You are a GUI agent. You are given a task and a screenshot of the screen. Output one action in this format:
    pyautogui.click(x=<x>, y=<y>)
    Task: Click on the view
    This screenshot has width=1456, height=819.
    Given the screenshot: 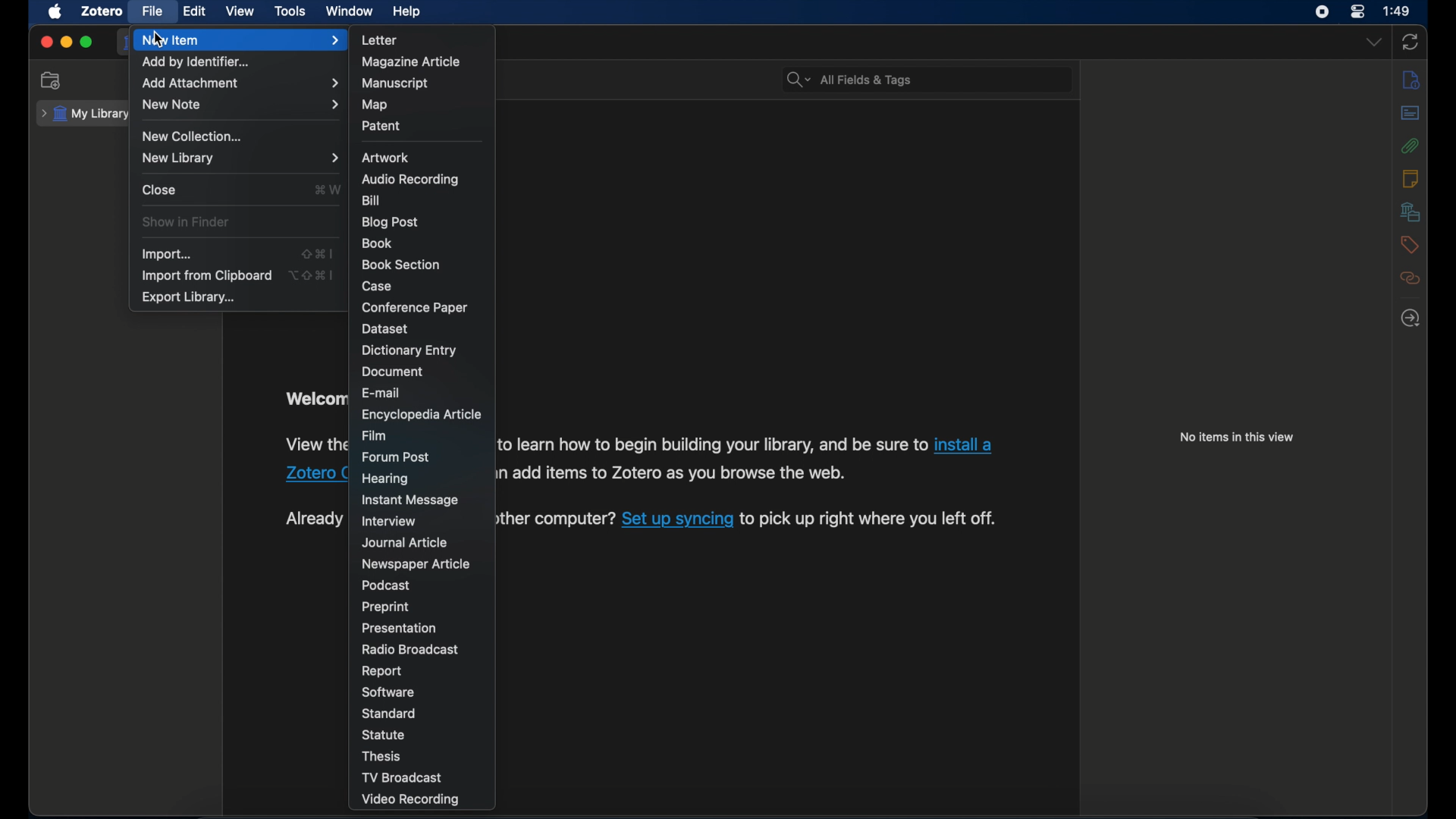 What is the action you would take?
    pyautogui.click(x=241, y=11)
    